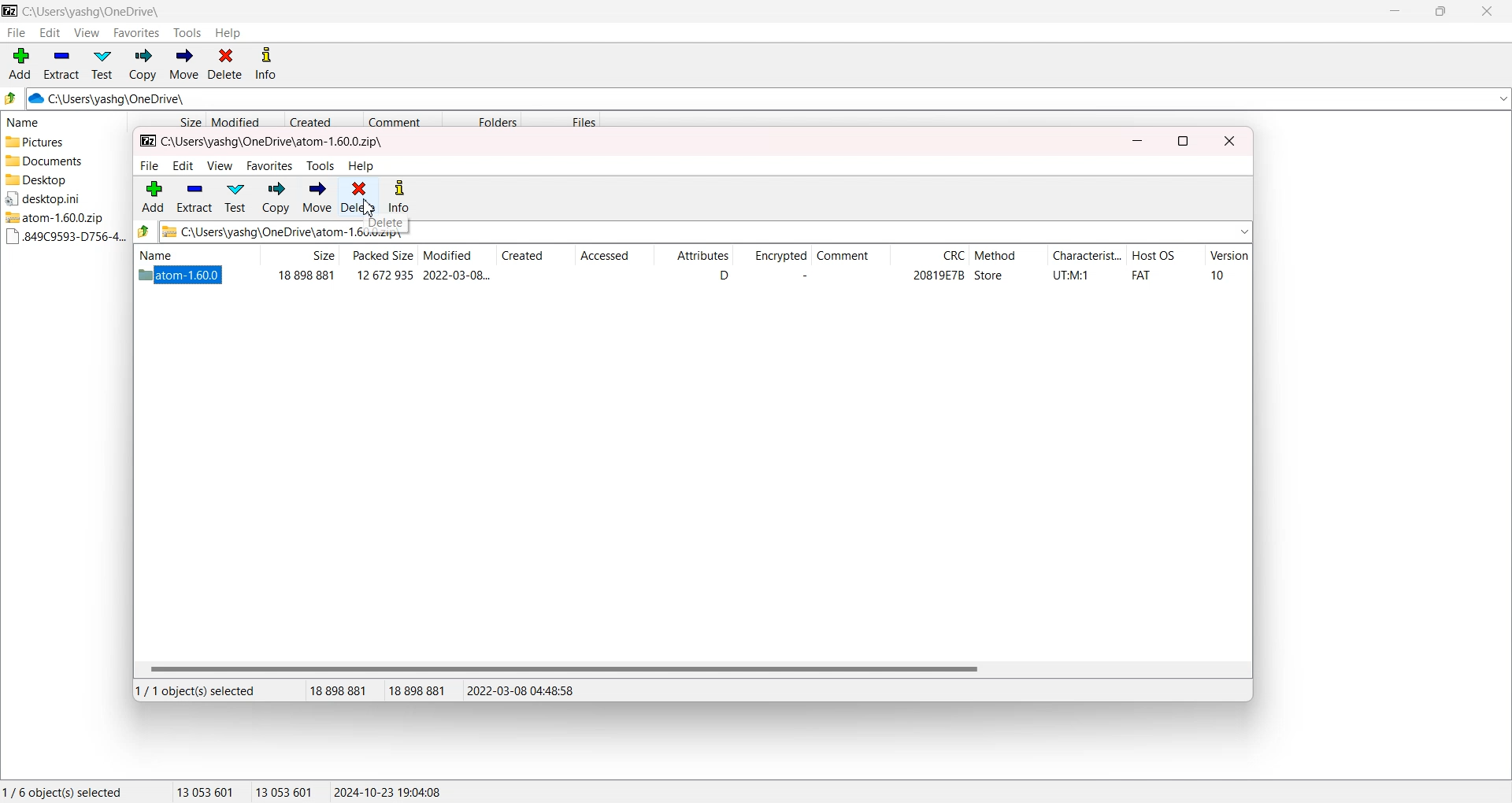 This screenshot has height=803, width=1512. Describe the element at coordinates (195, 690) in the screenshot. I see `1/1 Object(s) selected` at that location.